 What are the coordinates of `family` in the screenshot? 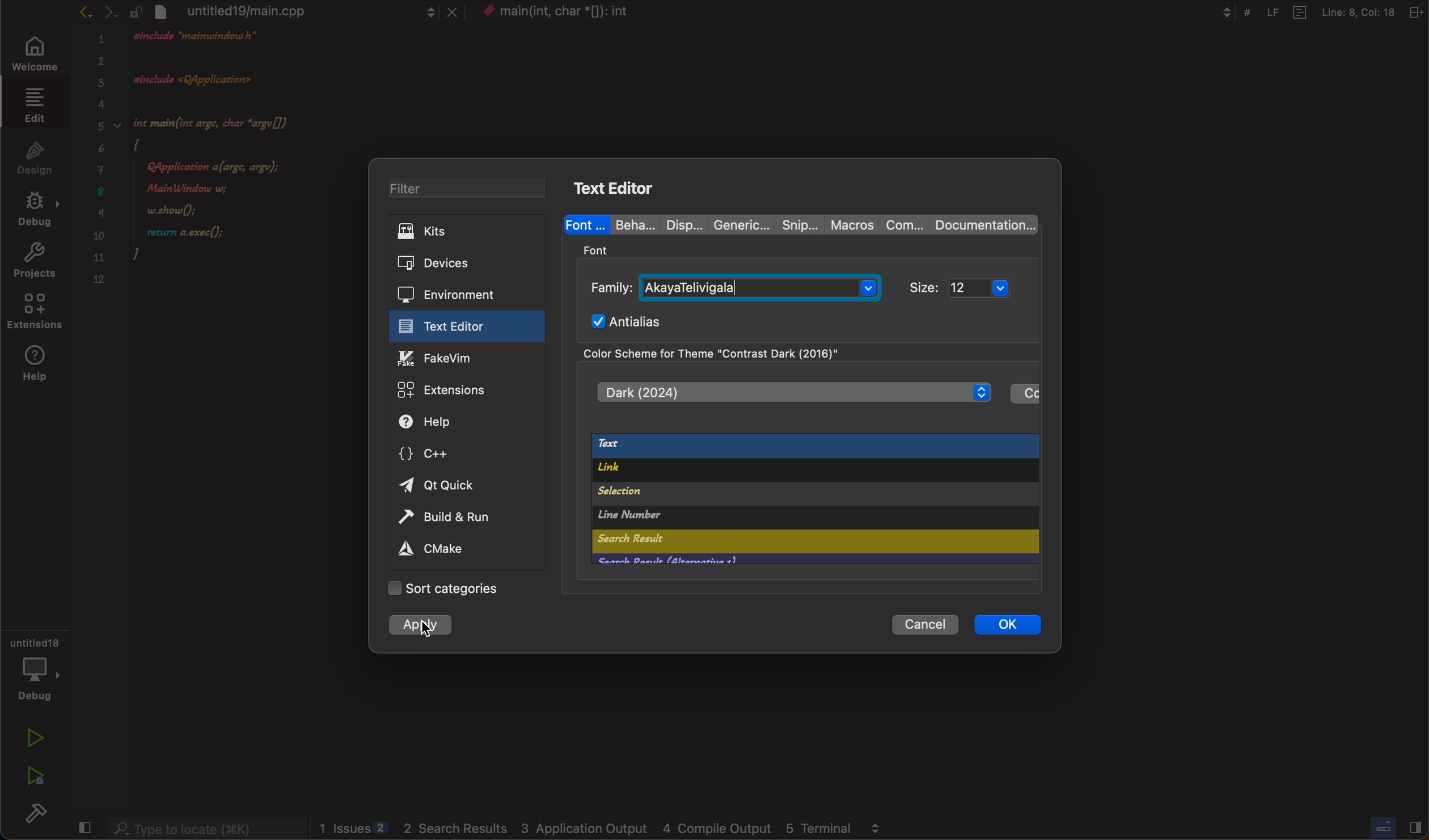 It's located at (734, 286).